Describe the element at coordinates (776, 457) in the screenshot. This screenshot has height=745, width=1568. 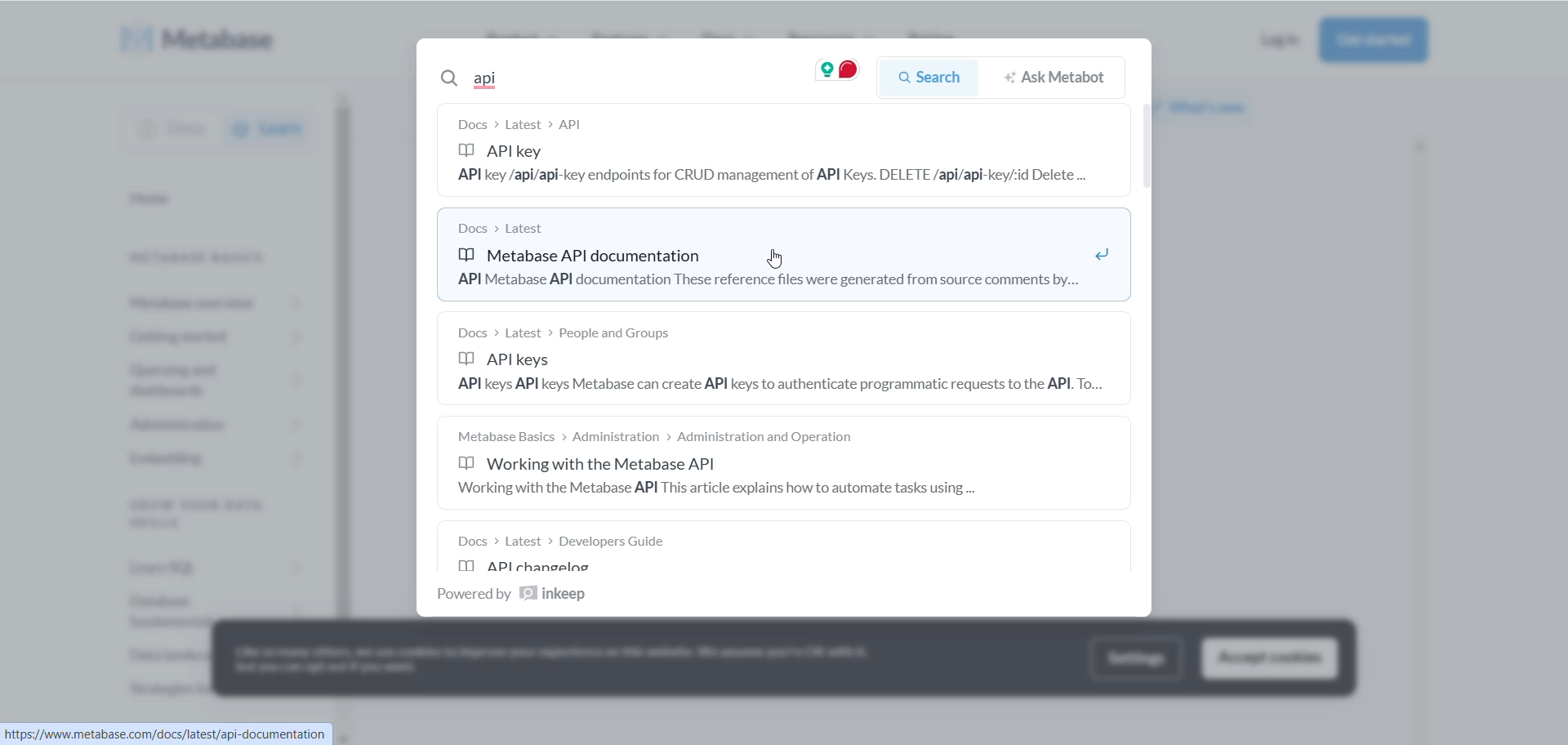
I see `working with metabase API documentation` at that location.